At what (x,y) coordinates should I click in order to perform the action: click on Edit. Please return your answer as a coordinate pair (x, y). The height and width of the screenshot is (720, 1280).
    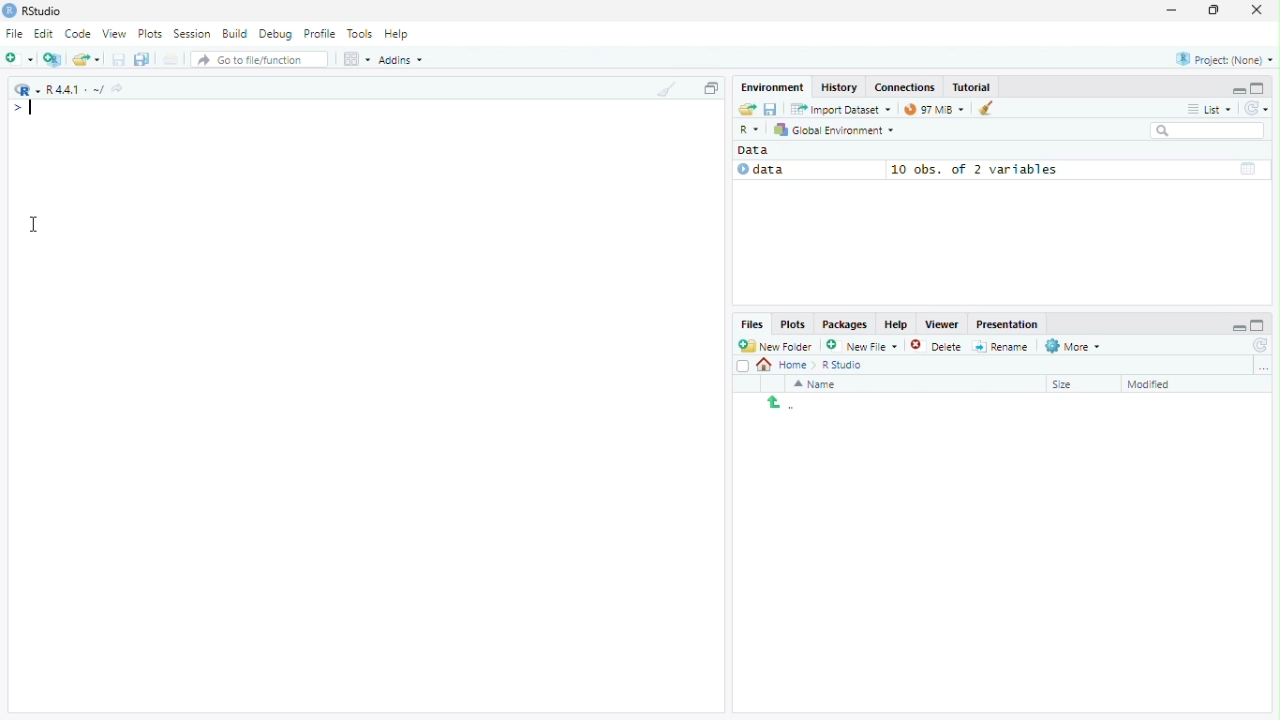
    Looking at the image, I should click on (45, 34).